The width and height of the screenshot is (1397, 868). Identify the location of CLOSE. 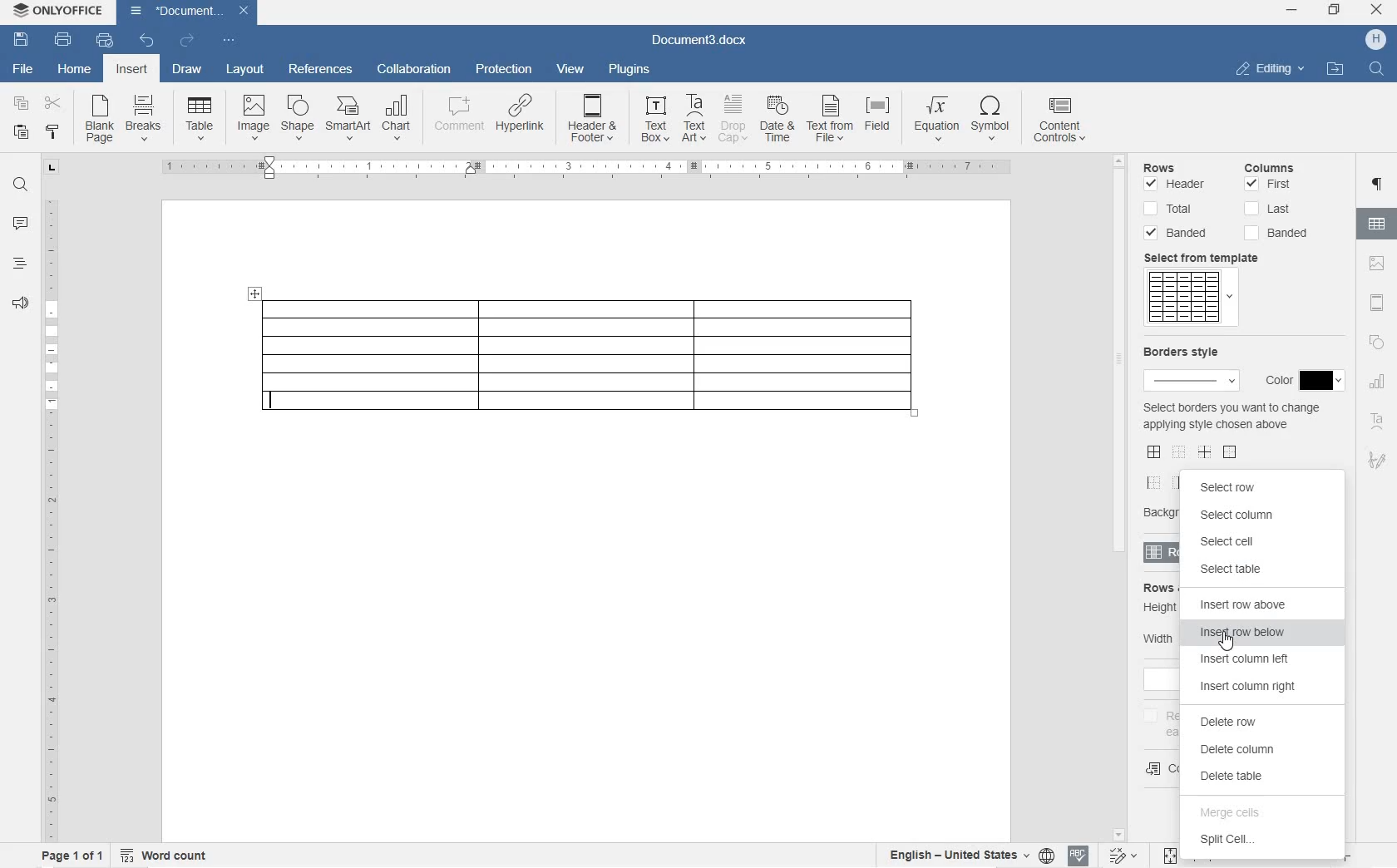
(1377, 9).